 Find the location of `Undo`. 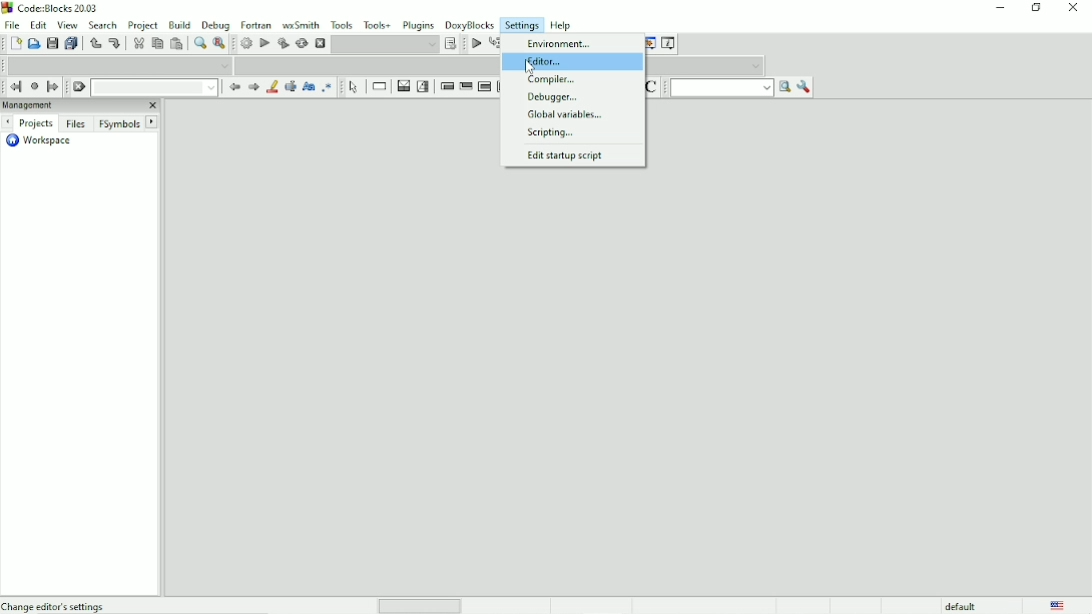

Undo is located at coordinates (94, 43).